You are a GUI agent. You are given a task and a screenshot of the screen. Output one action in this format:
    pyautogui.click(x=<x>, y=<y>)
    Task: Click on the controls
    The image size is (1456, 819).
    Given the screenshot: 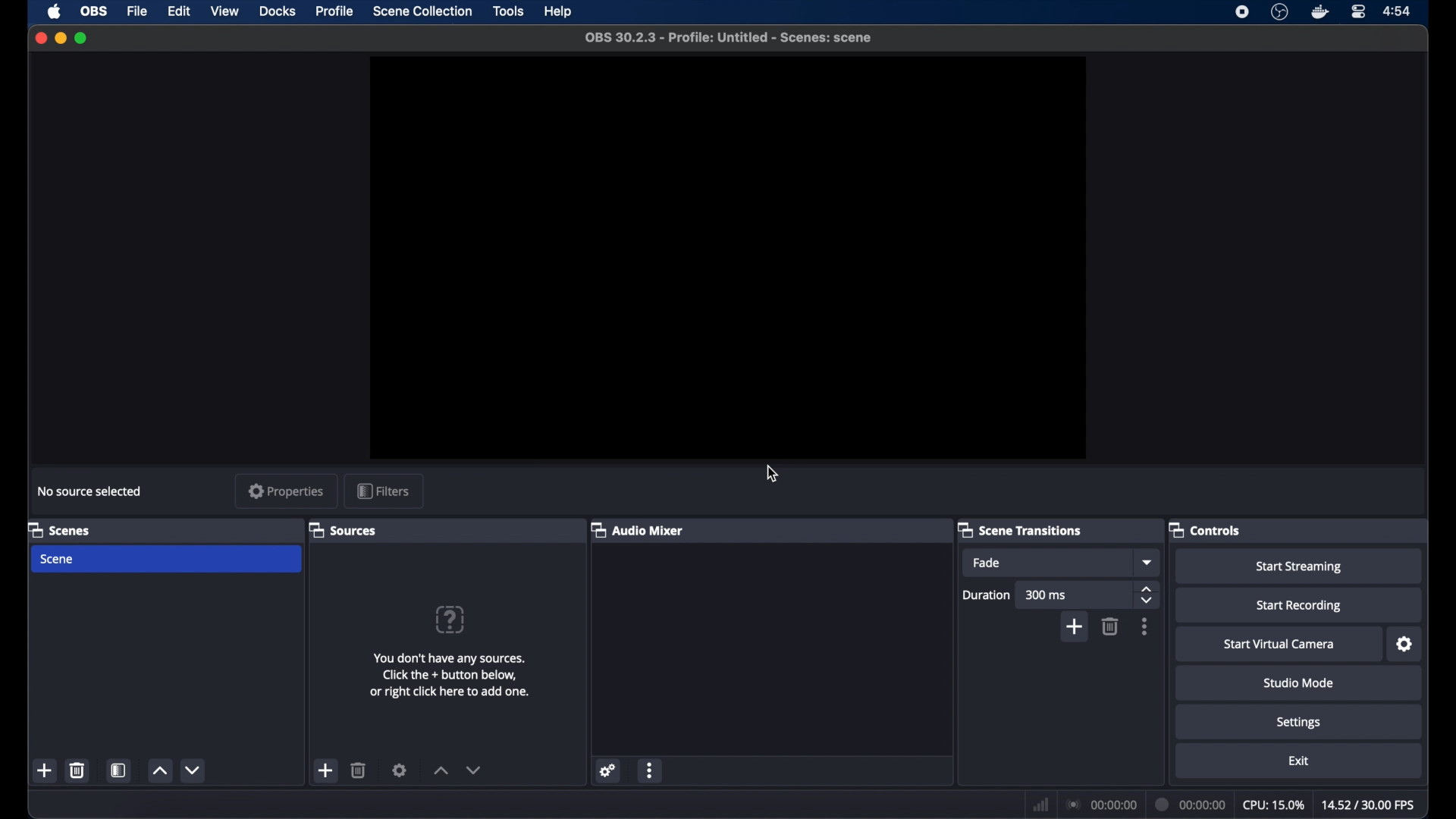 What is the action you would take?
    pyautogui.click(x=1207, y=529)
    